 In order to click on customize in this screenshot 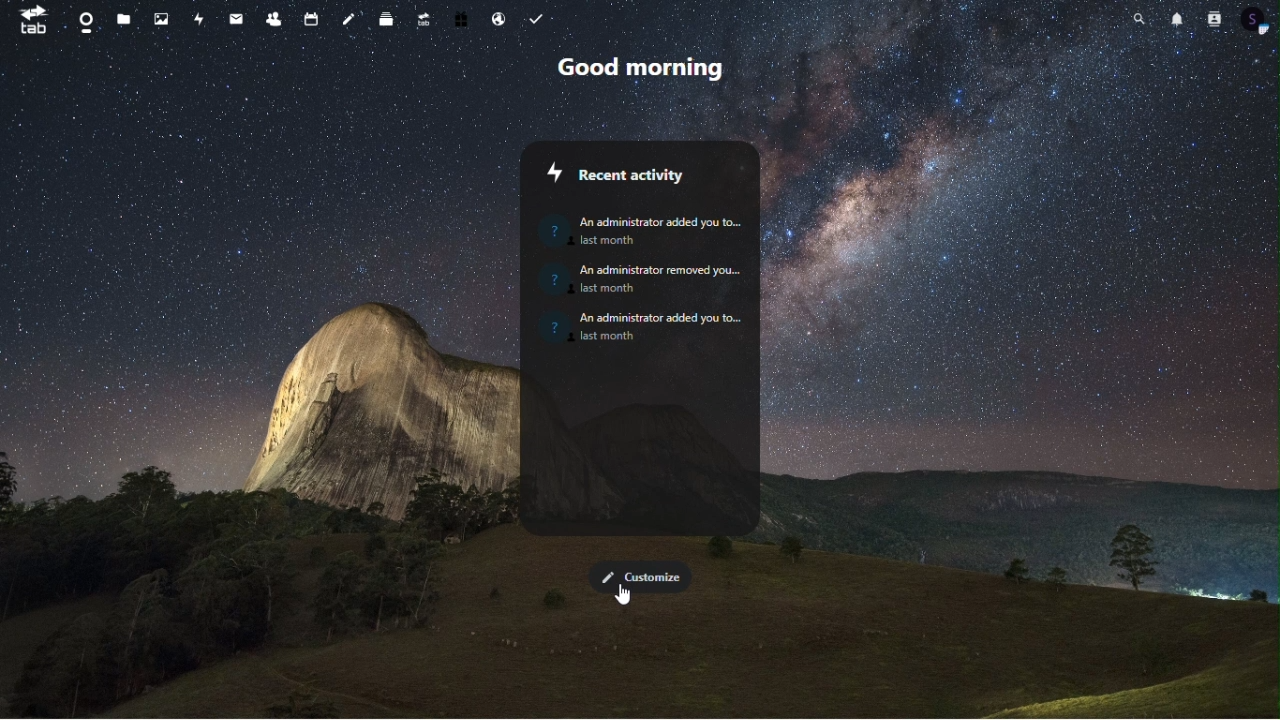, I will do `click(639, 575)`.